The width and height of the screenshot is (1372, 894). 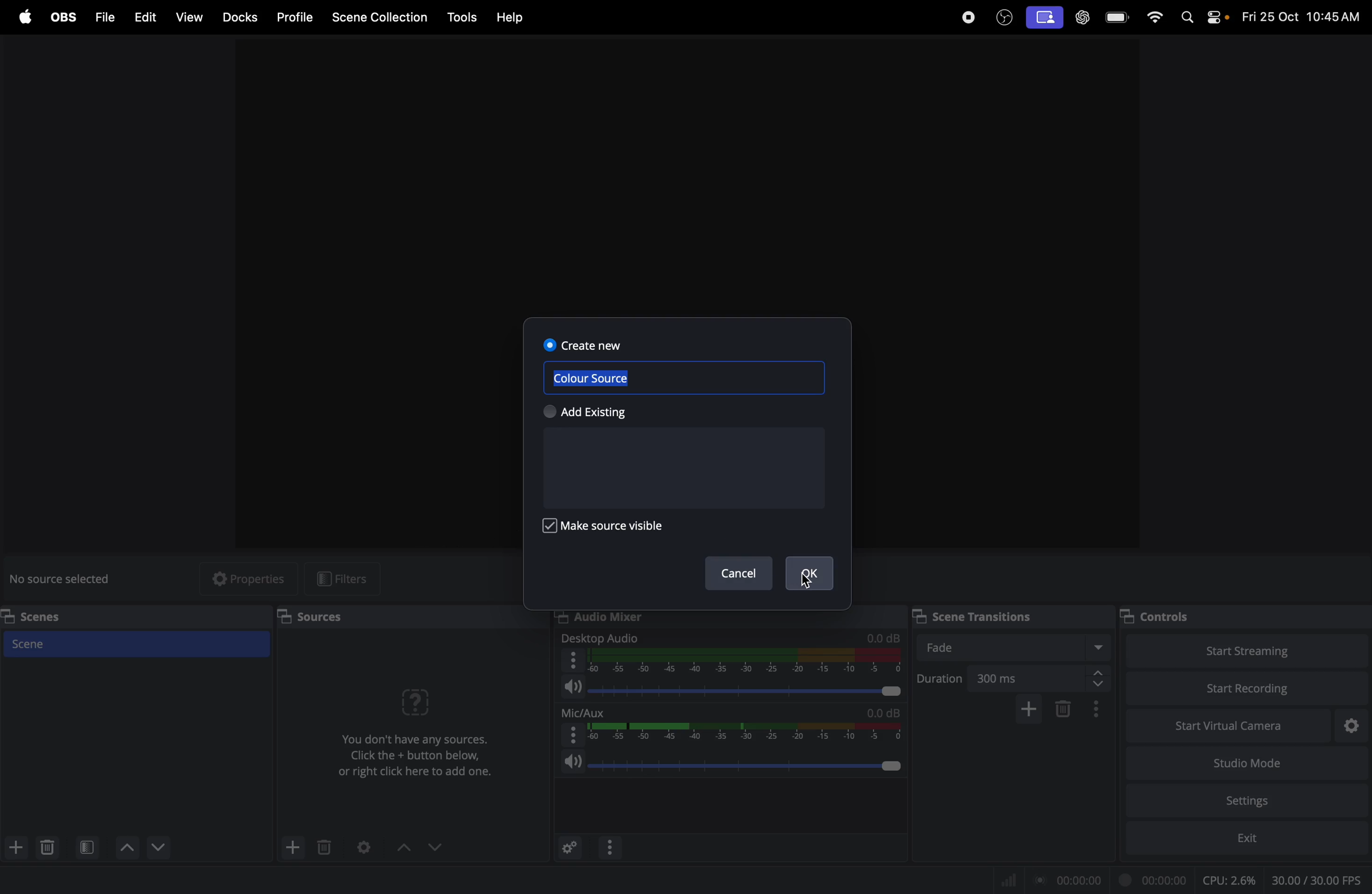 What do you see at coordinates (323, 848) in the screenshot?
I see `delete` at bounding box center [323, 848].